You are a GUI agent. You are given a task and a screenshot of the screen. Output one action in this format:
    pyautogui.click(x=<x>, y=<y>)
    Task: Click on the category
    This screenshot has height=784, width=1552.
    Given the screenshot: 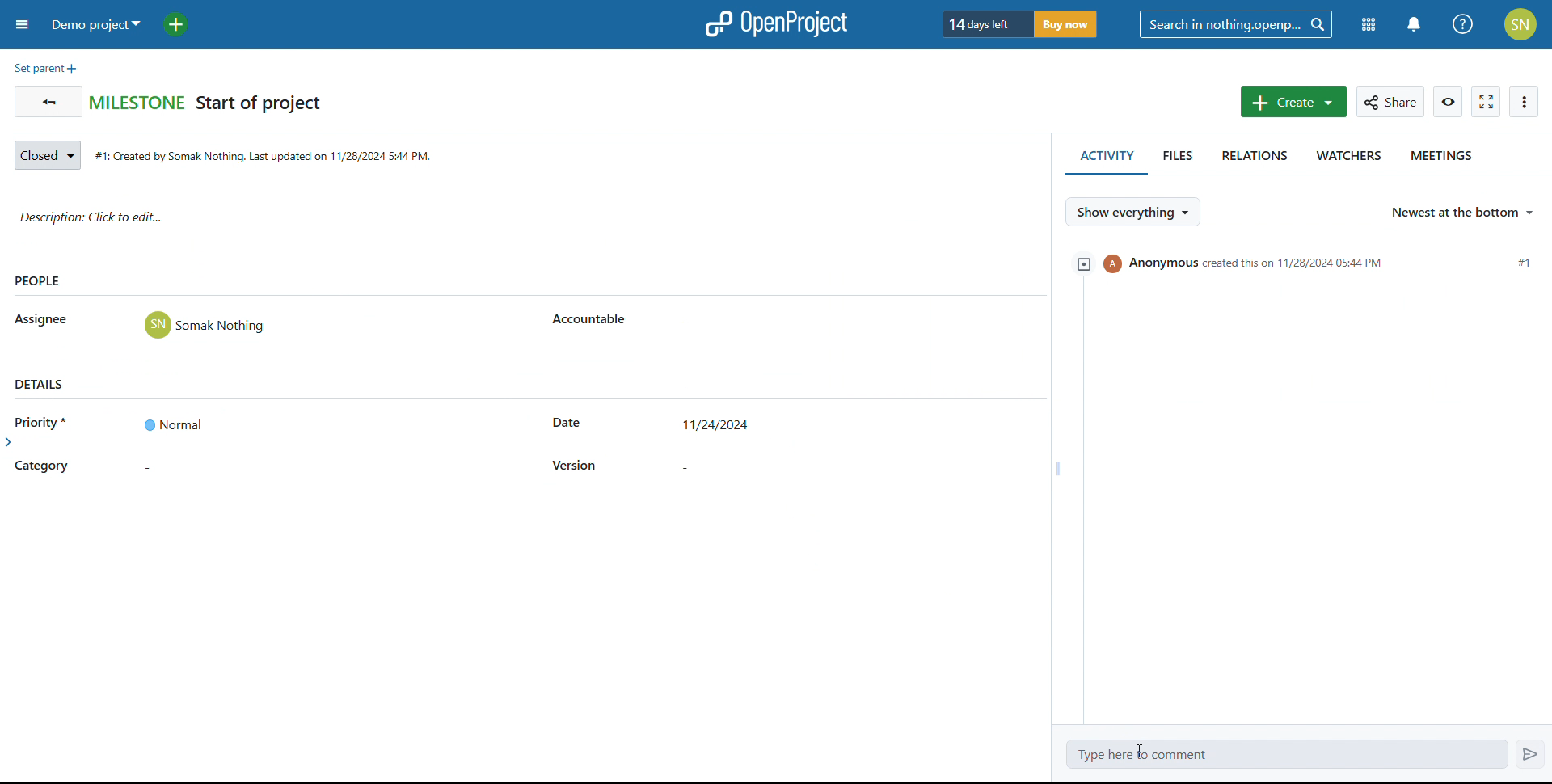 What is the action you would take?
    pyautogui.click(x=42, y=467)
    